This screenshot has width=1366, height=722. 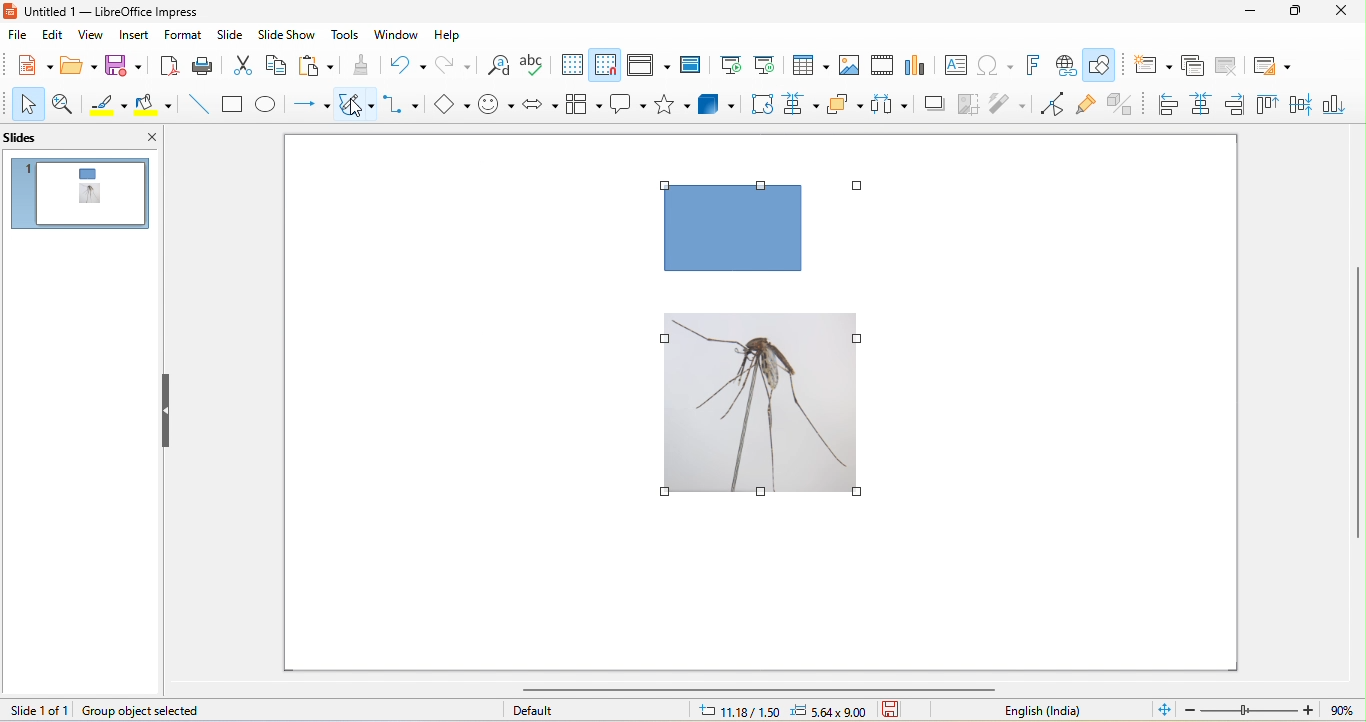 I want to click on fit slide to current window, so click(x=1161, y=711).